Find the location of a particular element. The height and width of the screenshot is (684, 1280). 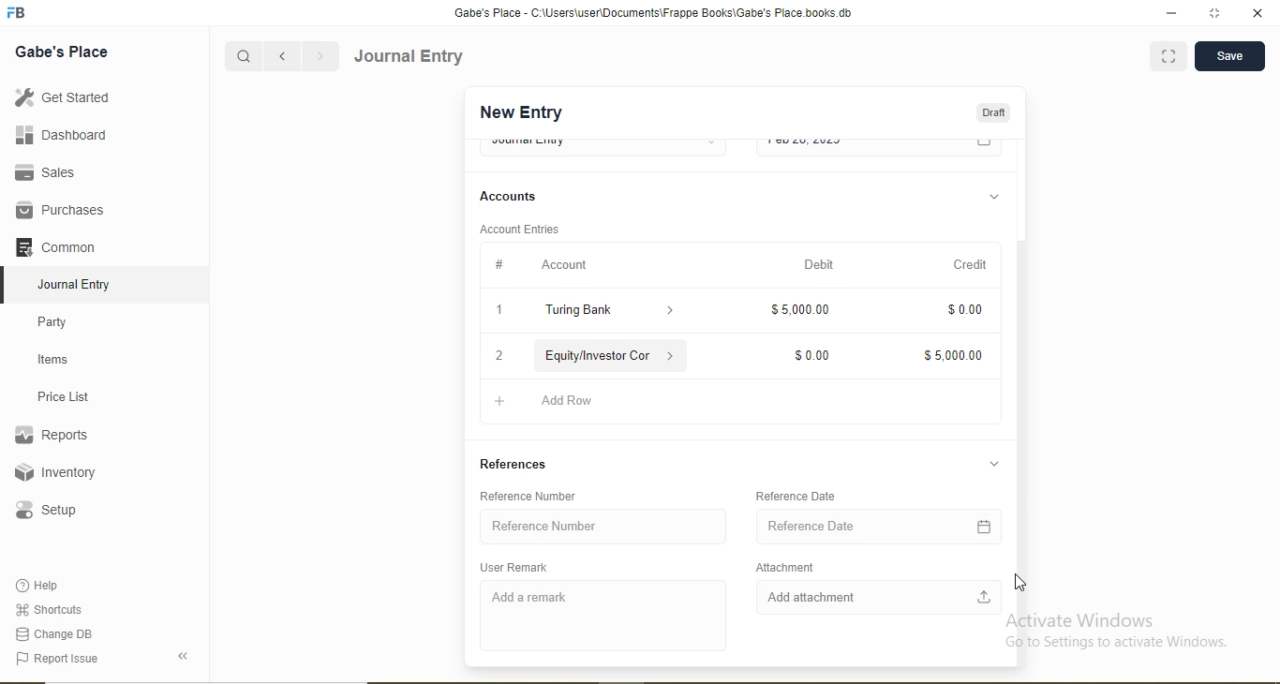

Reports is located at coordinates (51, 435).